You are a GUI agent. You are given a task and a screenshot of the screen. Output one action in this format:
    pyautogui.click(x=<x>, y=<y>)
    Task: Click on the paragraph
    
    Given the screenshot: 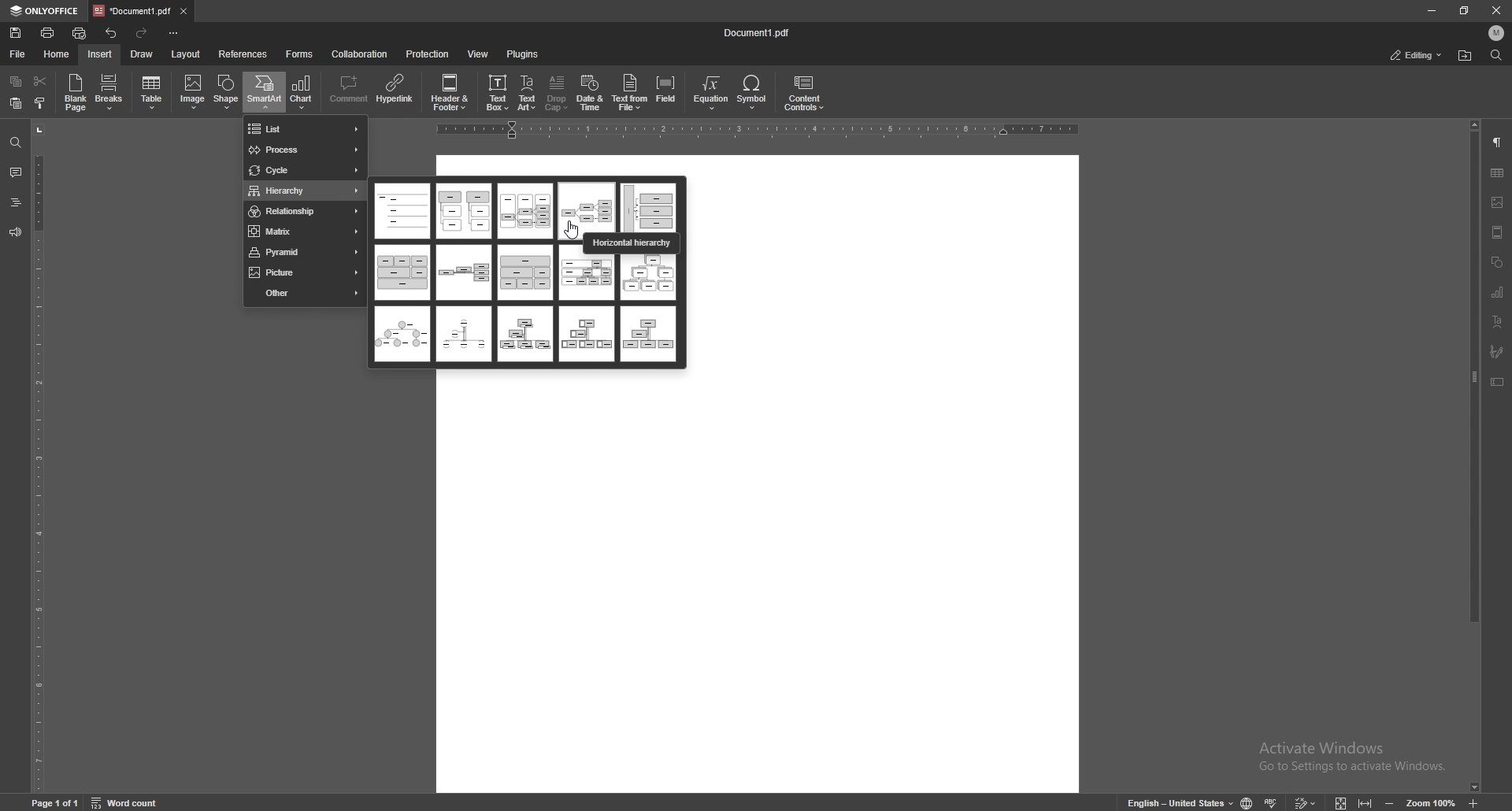 What is the action you would take?
    pyautogui.click(x=1498, y=143)
    